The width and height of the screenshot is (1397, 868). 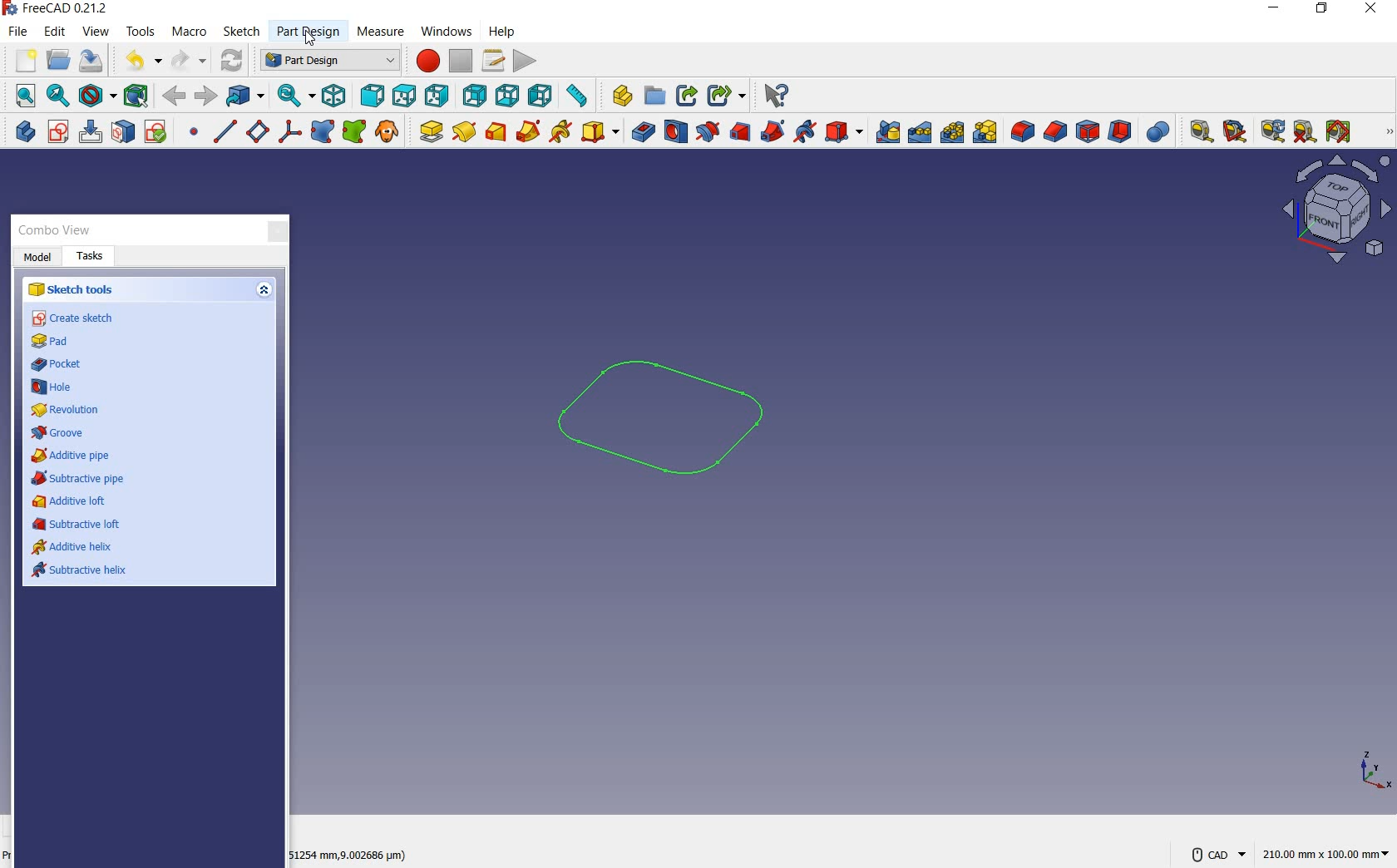 I want to click on create sketch, so click(x=74, y=318).